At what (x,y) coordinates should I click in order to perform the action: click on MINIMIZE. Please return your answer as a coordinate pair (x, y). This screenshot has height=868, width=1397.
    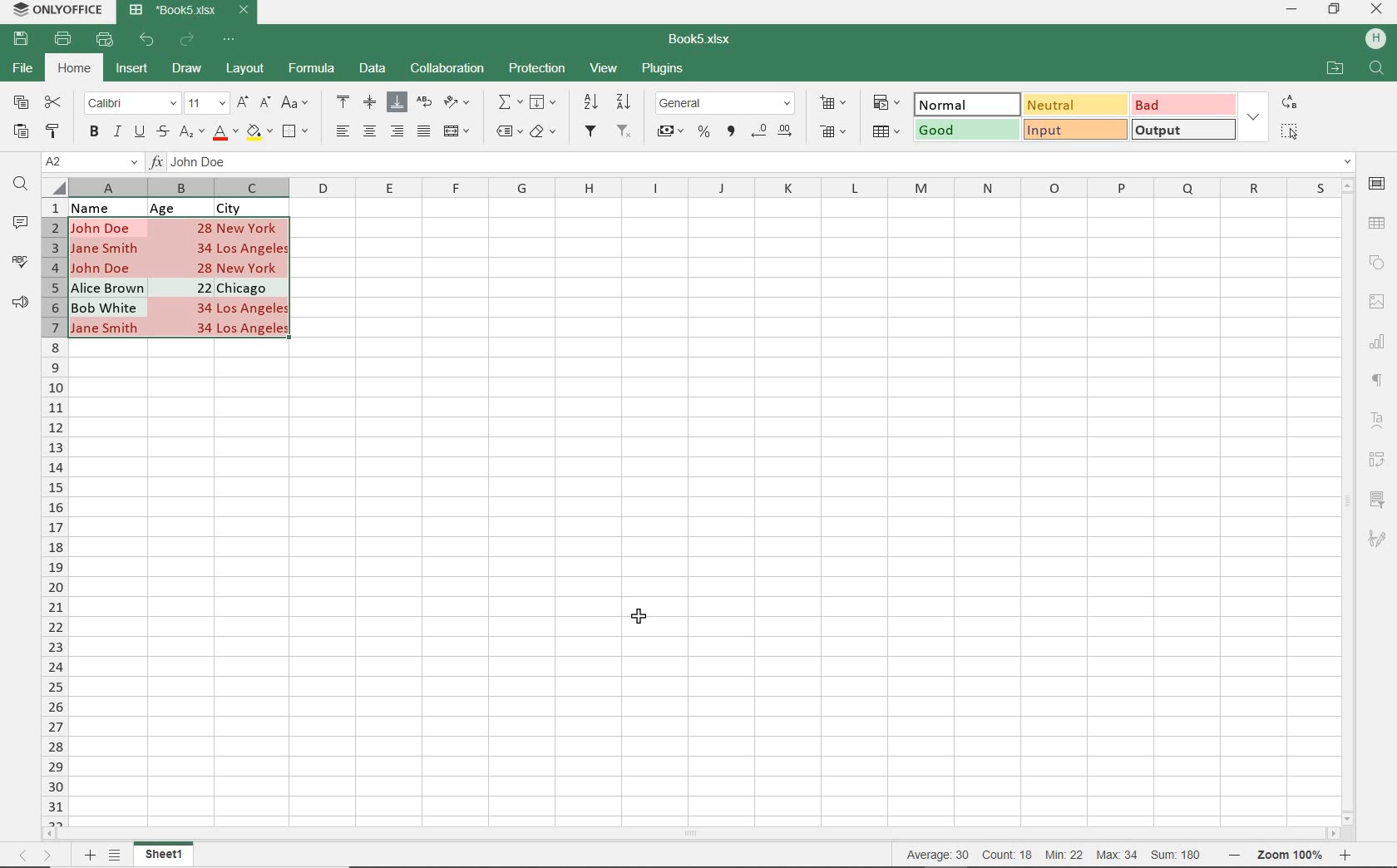
    Looking at the image, I should click on (1293, 10).